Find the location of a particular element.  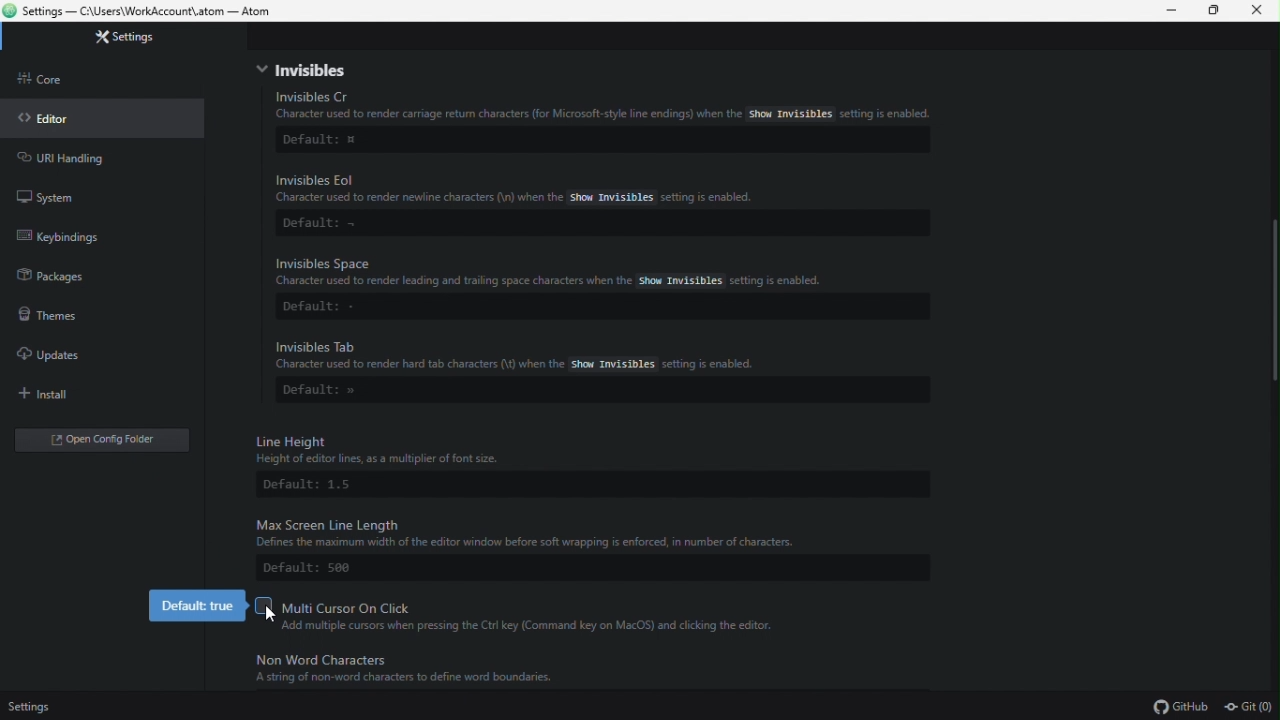

Max Screen Line Length
Defines the maximum width of the editor window before soft wrapping is enforced, in number of characters. is located at coordinates (562, 532).